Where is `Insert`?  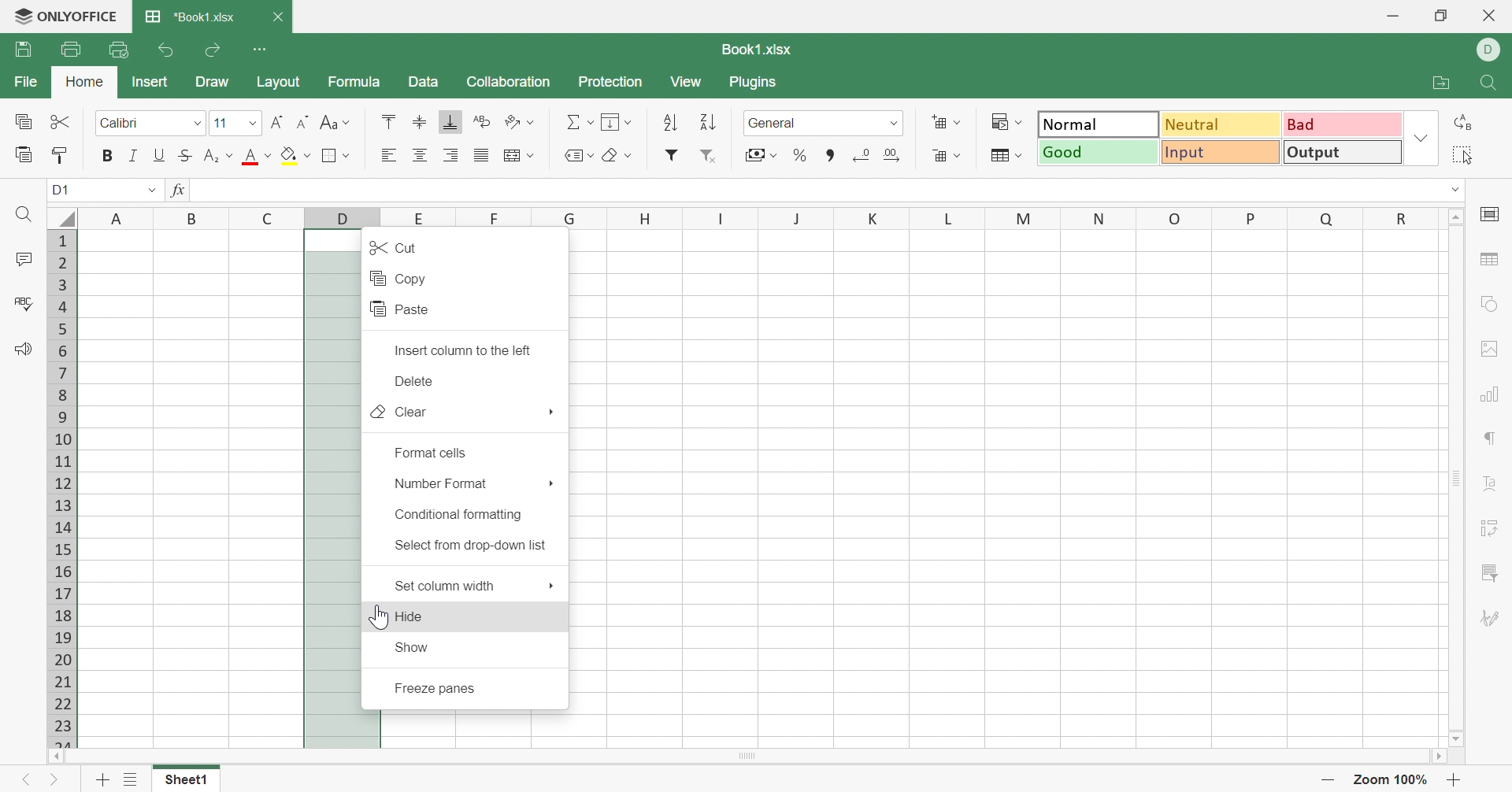
Insert is located at coordinates (151, 82).